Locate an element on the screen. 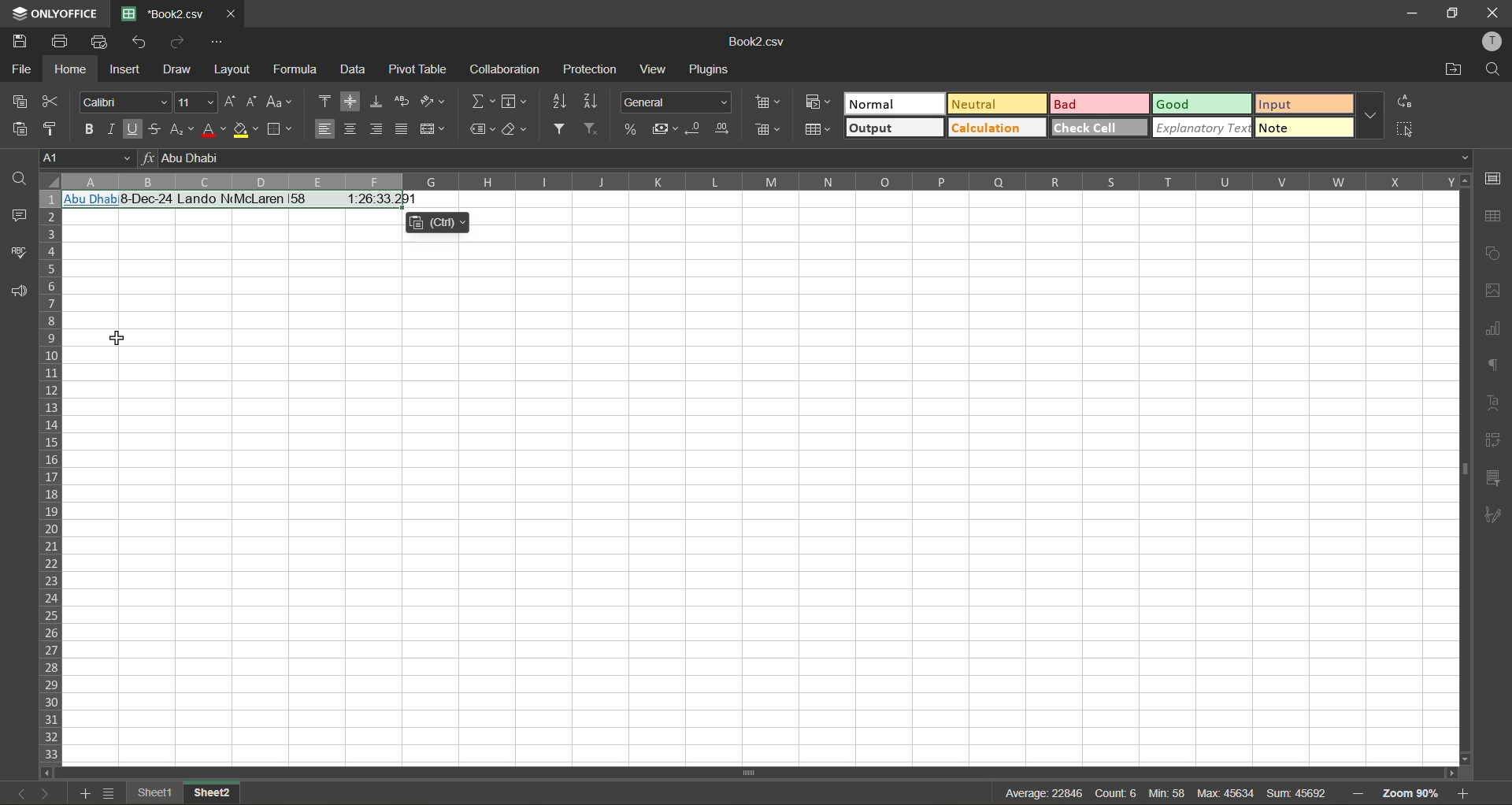  zoom out is located at coordinates (1358, 791).